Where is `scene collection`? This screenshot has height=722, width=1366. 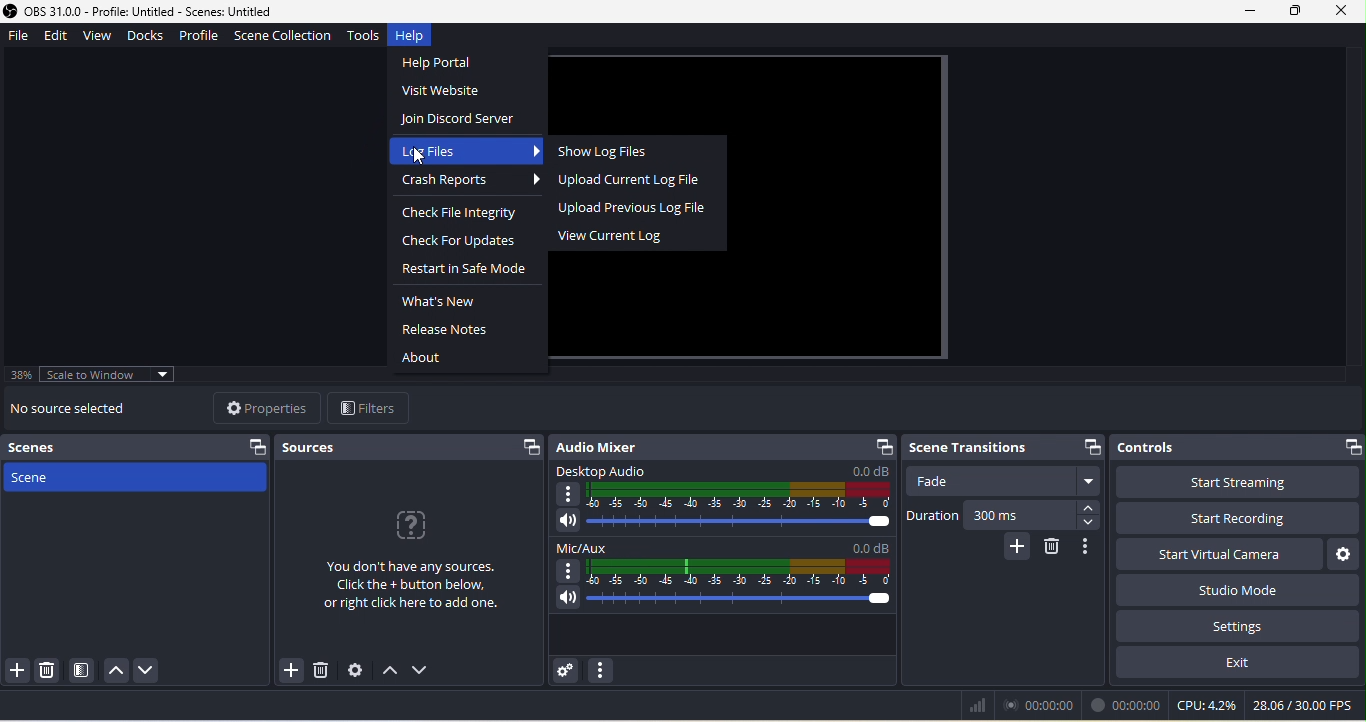 scene collection is located at coordinates (283, 38).